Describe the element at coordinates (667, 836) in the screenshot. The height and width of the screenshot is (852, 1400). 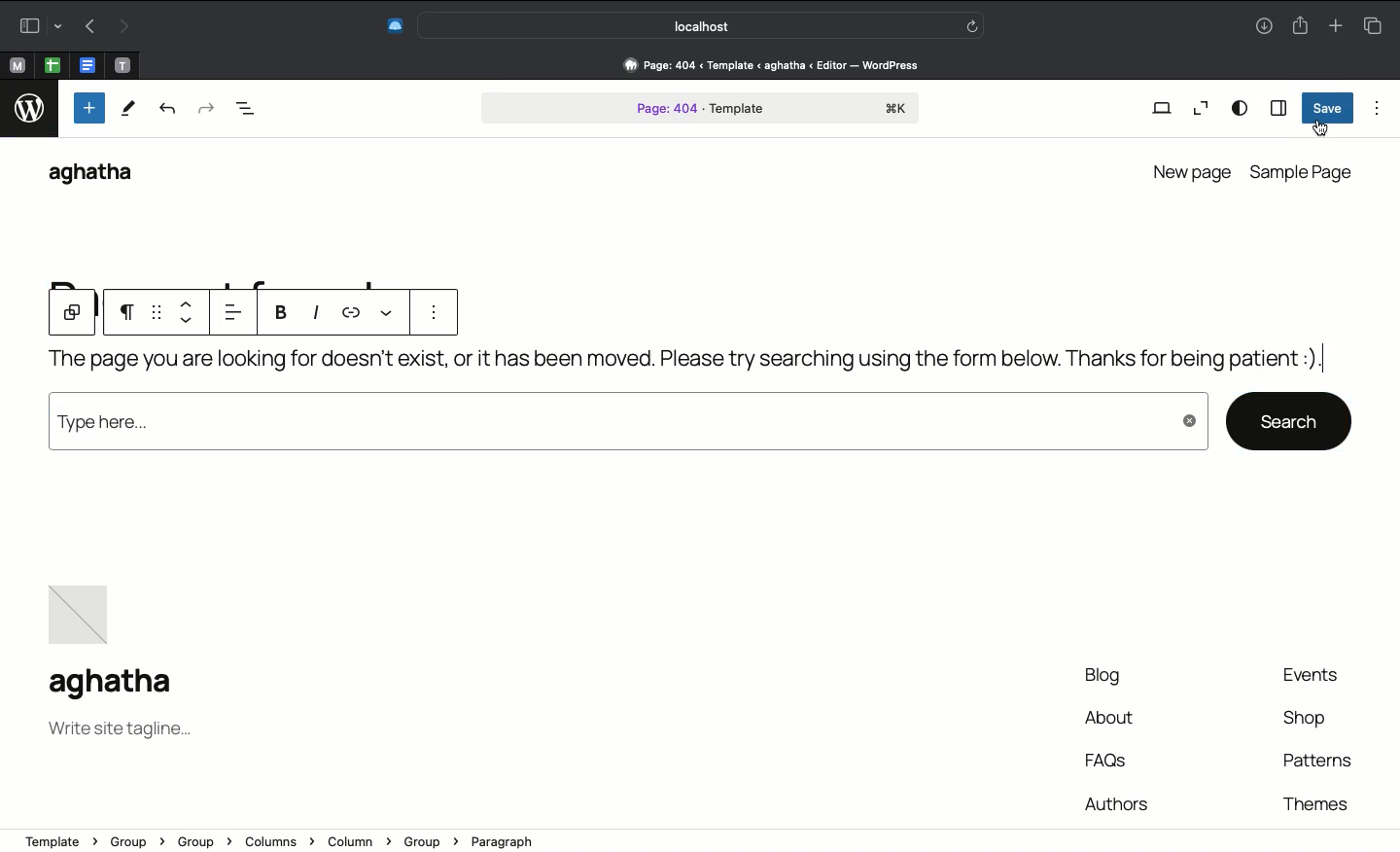
I see `address` at that location.